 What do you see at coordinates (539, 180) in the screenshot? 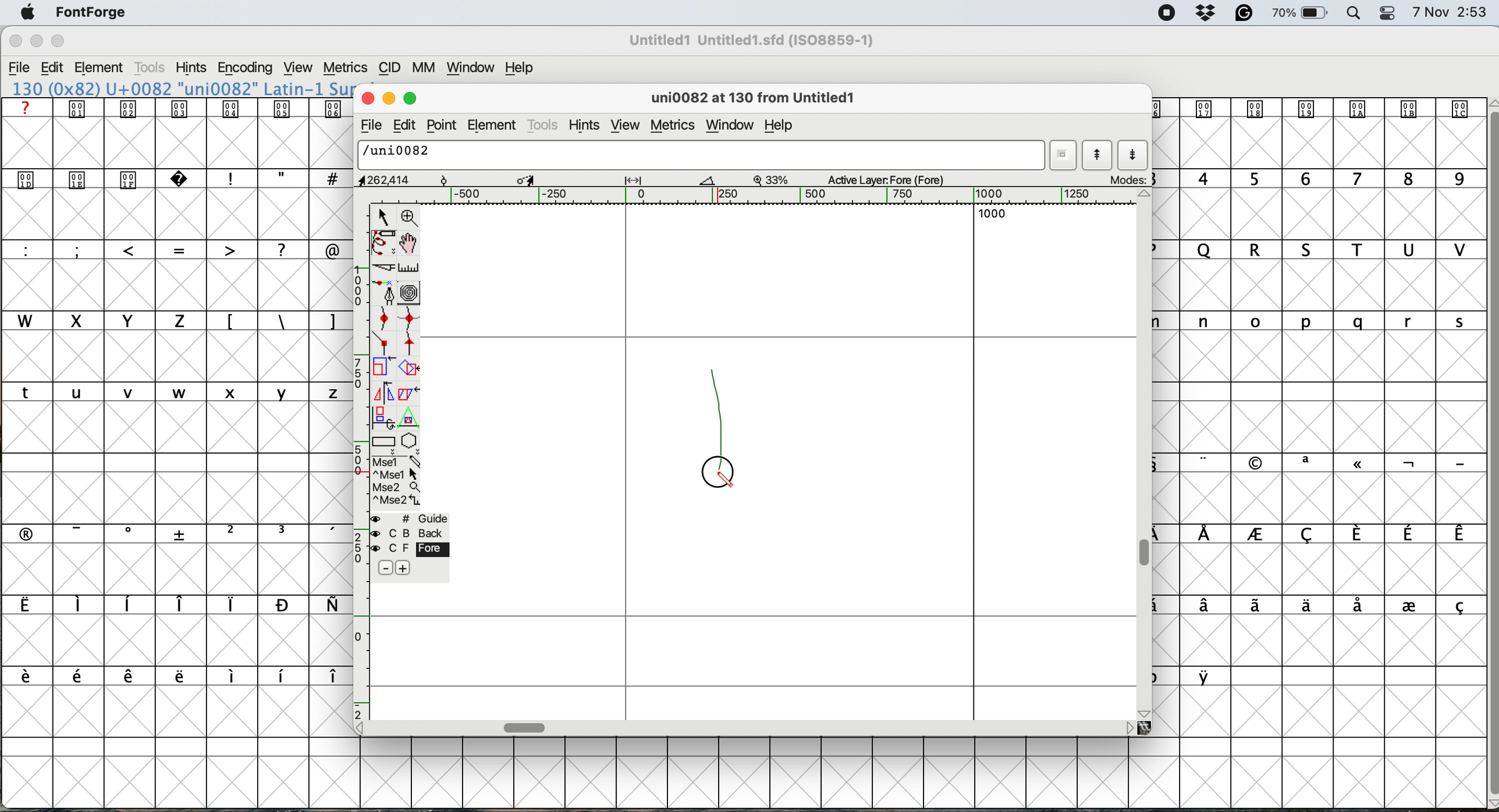
I see `glyph details` at bounding box center [539, 180].